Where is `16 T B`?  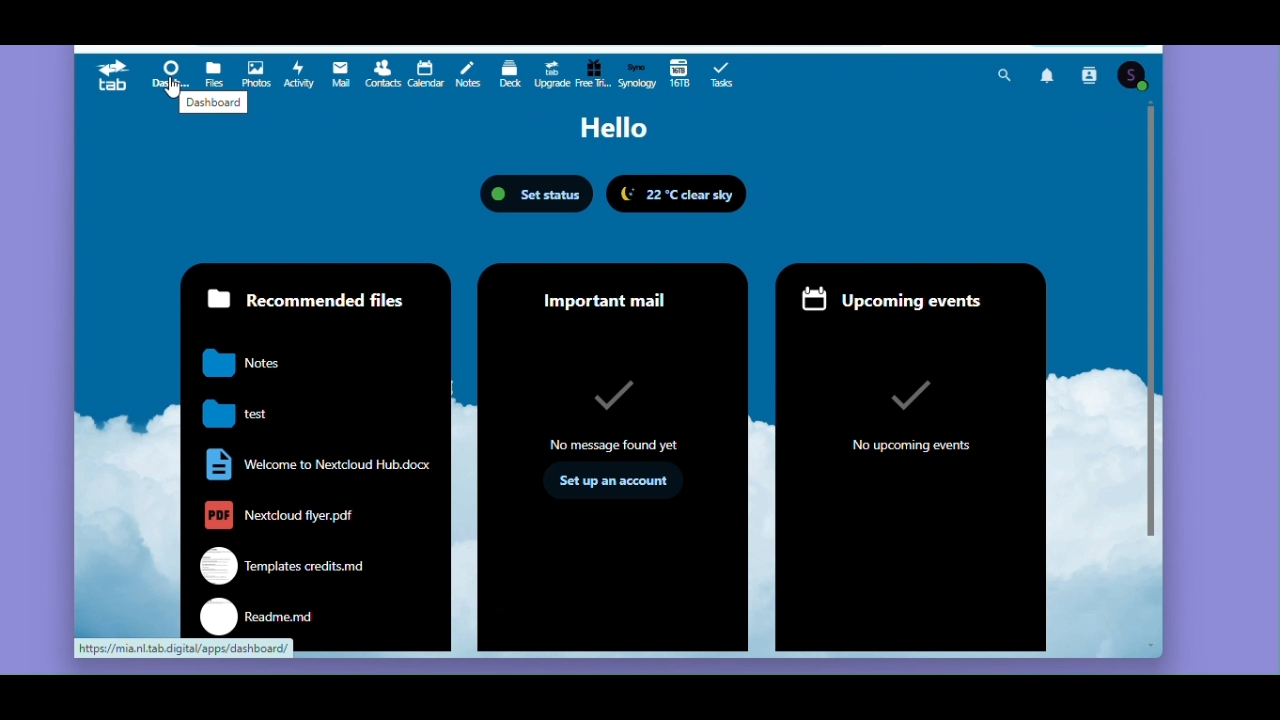 16 T B is located at coordinates (680, 75).